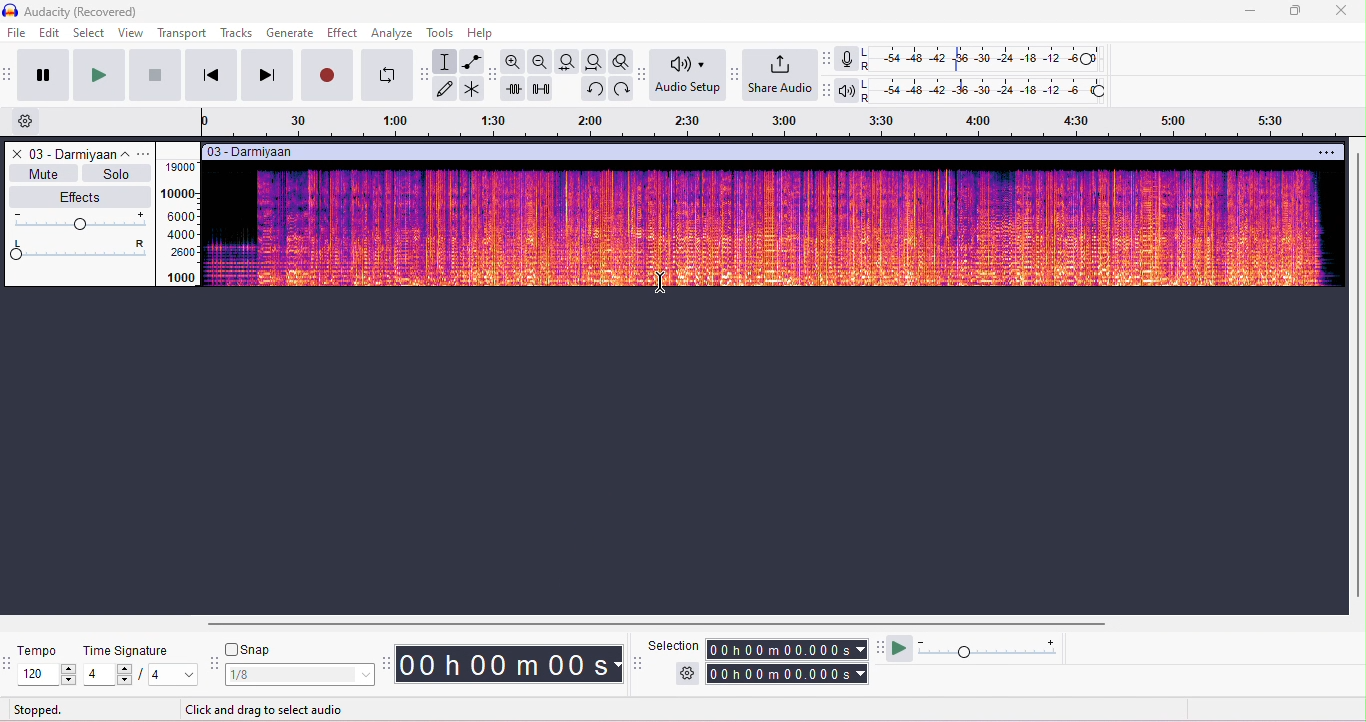  I want to click on transport, so click(182, 33).